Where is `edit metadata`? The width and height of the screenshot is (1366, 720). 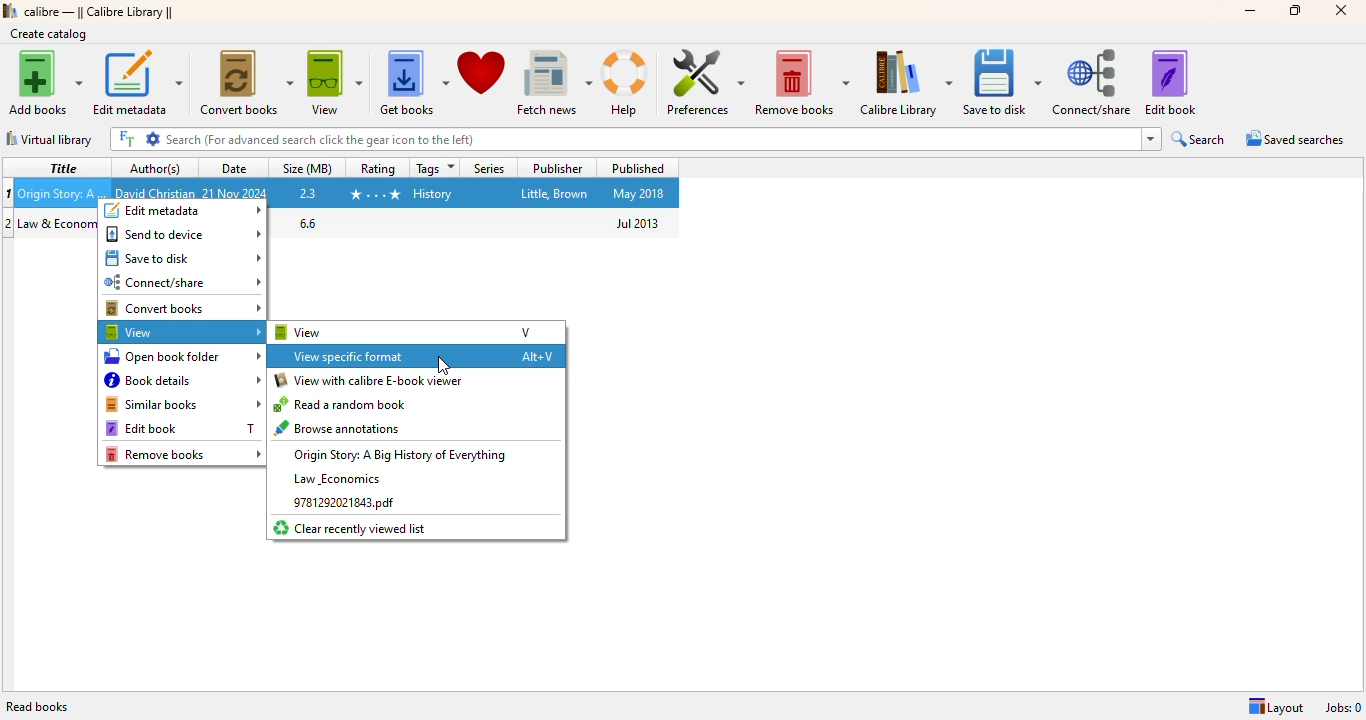
edit metadata is located at coordinates (182, 211).